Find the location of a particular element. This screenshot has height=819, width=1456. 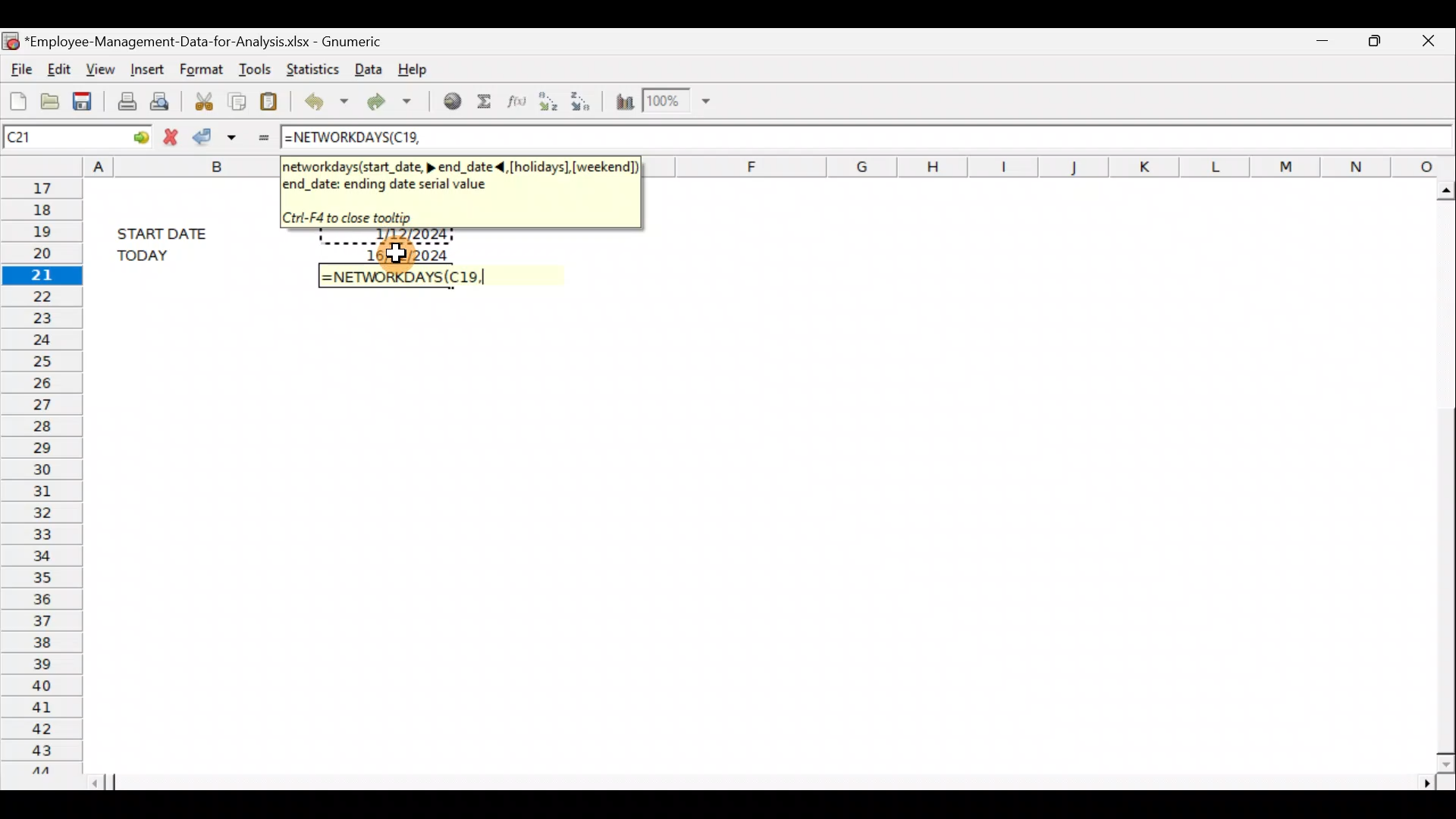

Save the current workbook is located at coordinates (85, 99).